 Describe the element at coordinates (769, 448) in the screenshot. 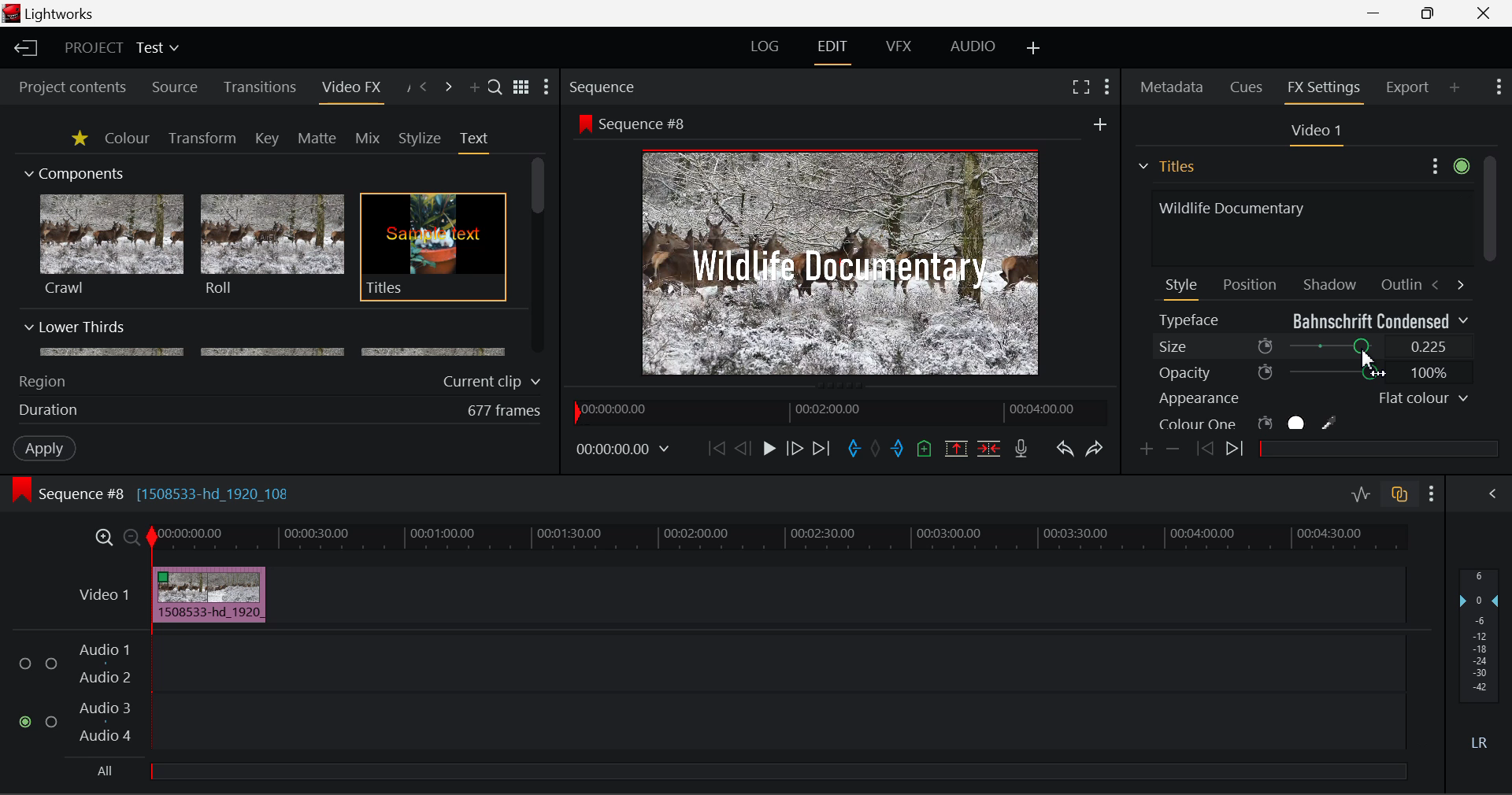

I see `Play` at that location.